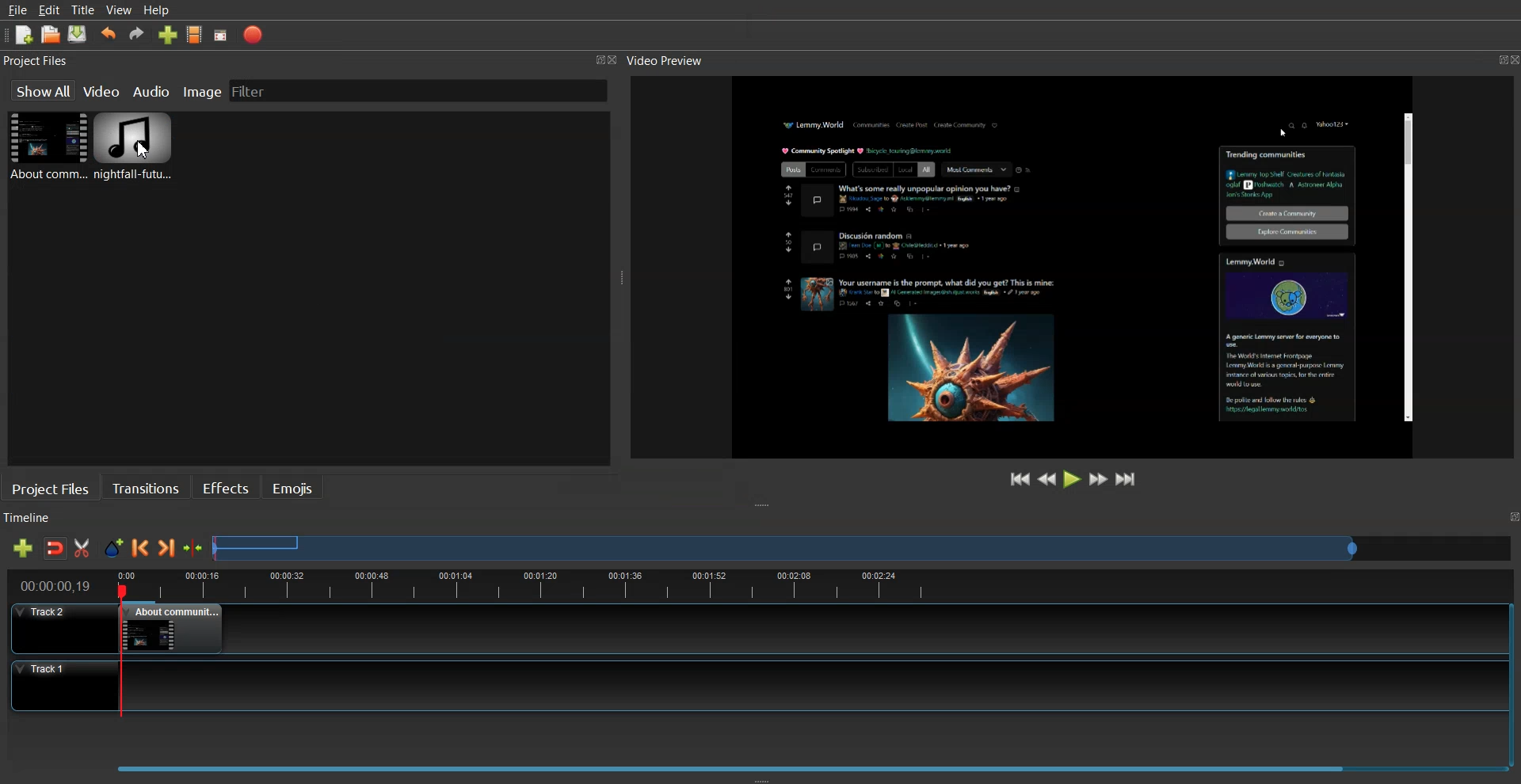  What do you see at coordinates (83, 548) in the screenshot?
I see `Razor Track` at bounding box center [83, 548].